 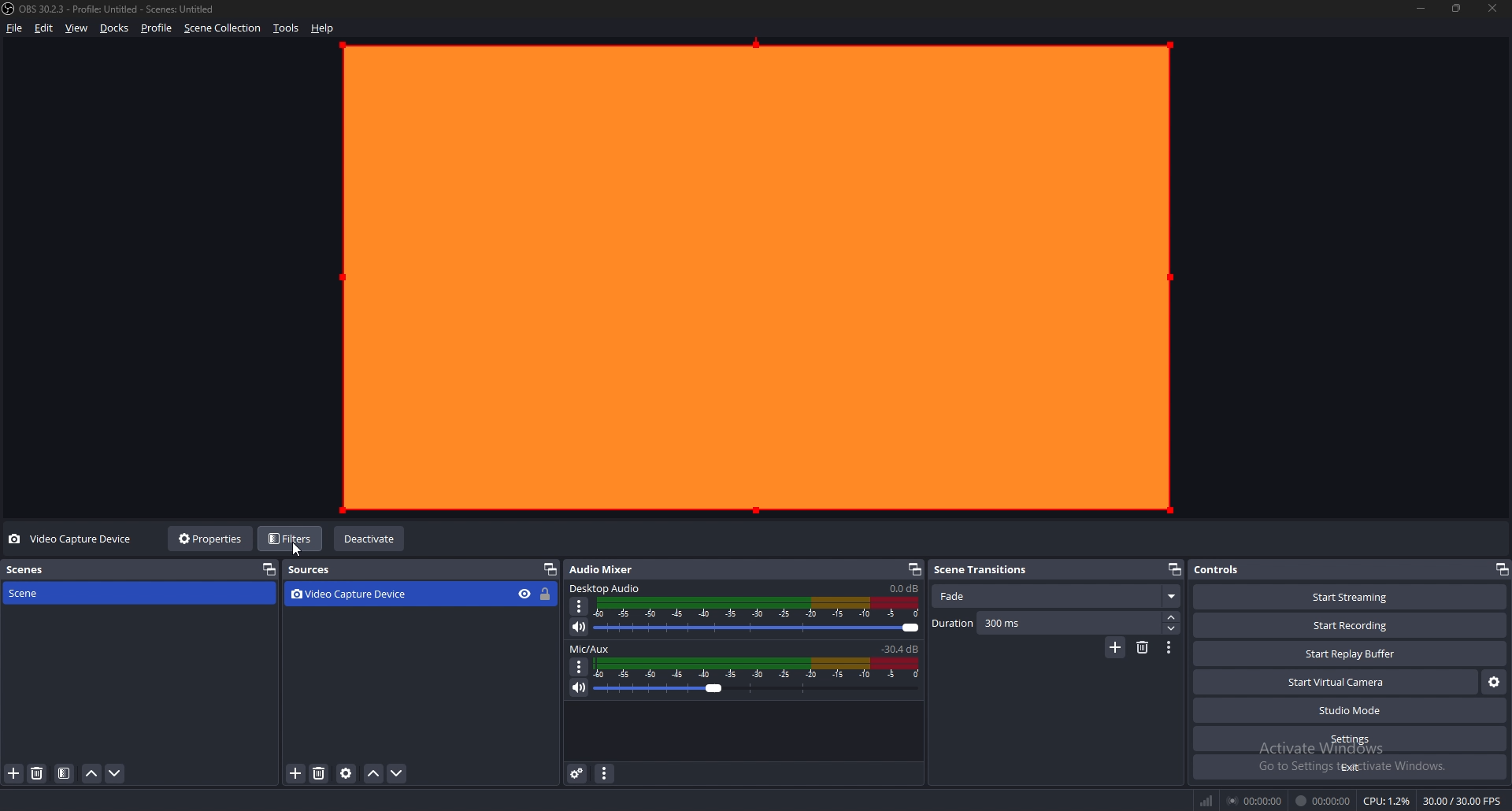 What do you see at coordinates (14, 774) in the screenshot?
I see `add scene` at bounding box center [14, 774].